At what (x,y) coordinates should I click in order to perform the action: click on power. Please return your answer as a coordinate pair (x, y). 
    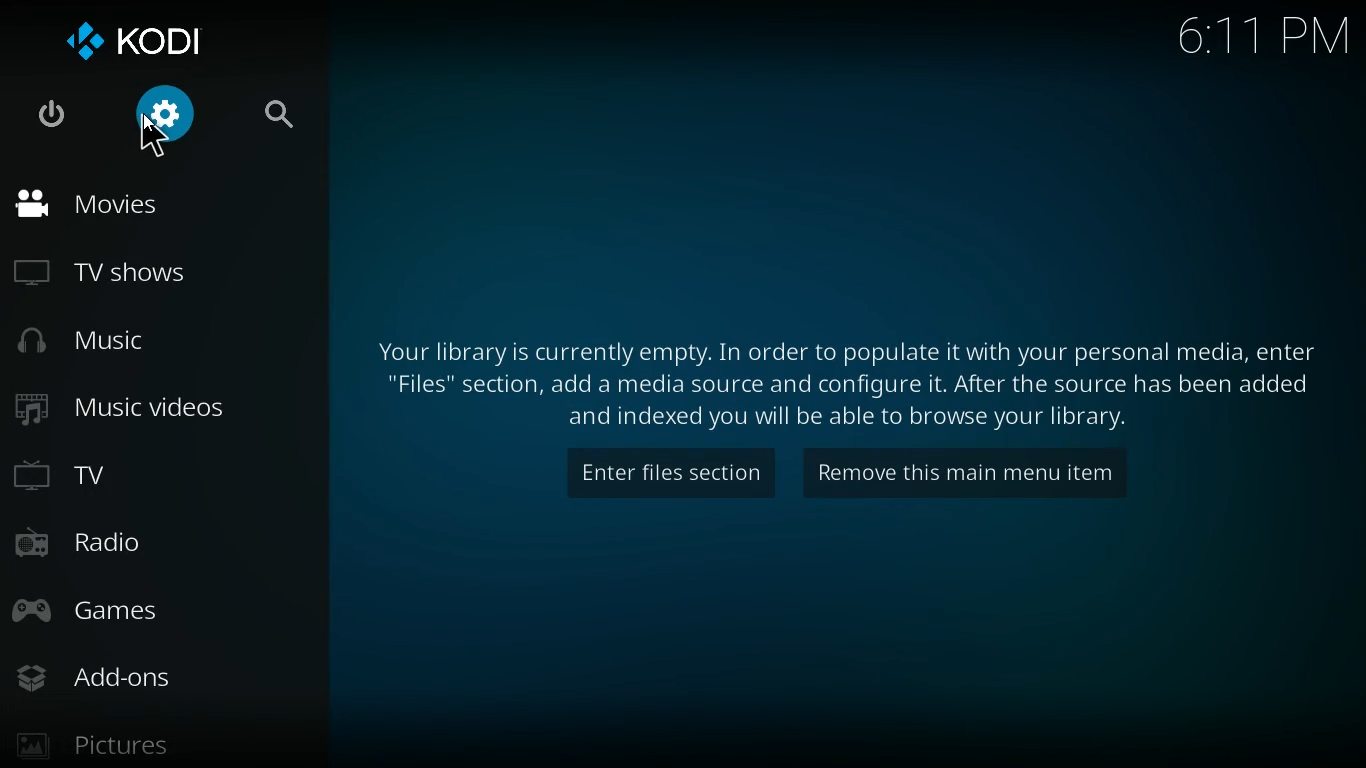
    Looking at the image, I should click on (50, 116).